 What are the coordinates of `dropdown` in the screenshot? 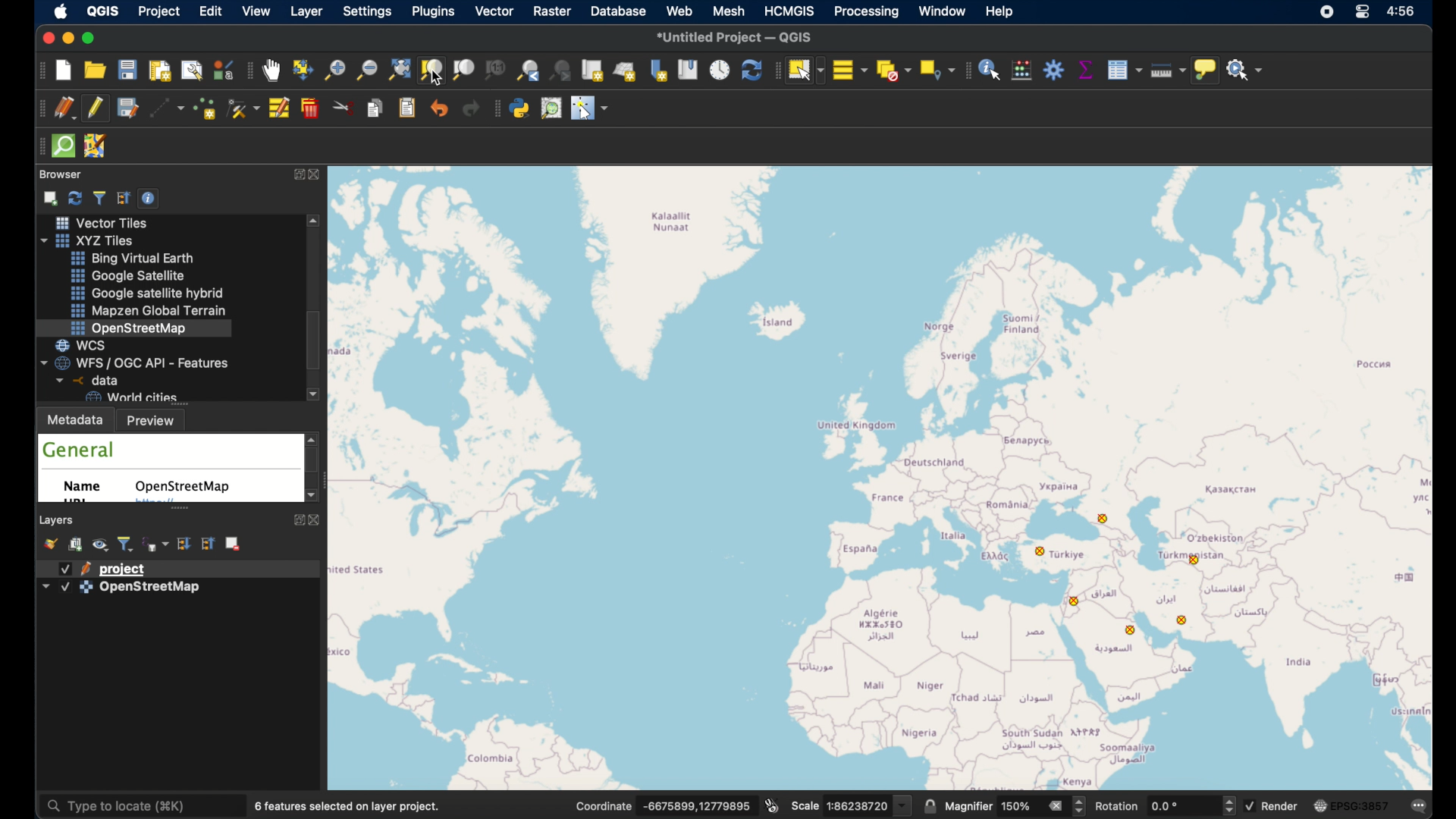 It's located at (903, 805).